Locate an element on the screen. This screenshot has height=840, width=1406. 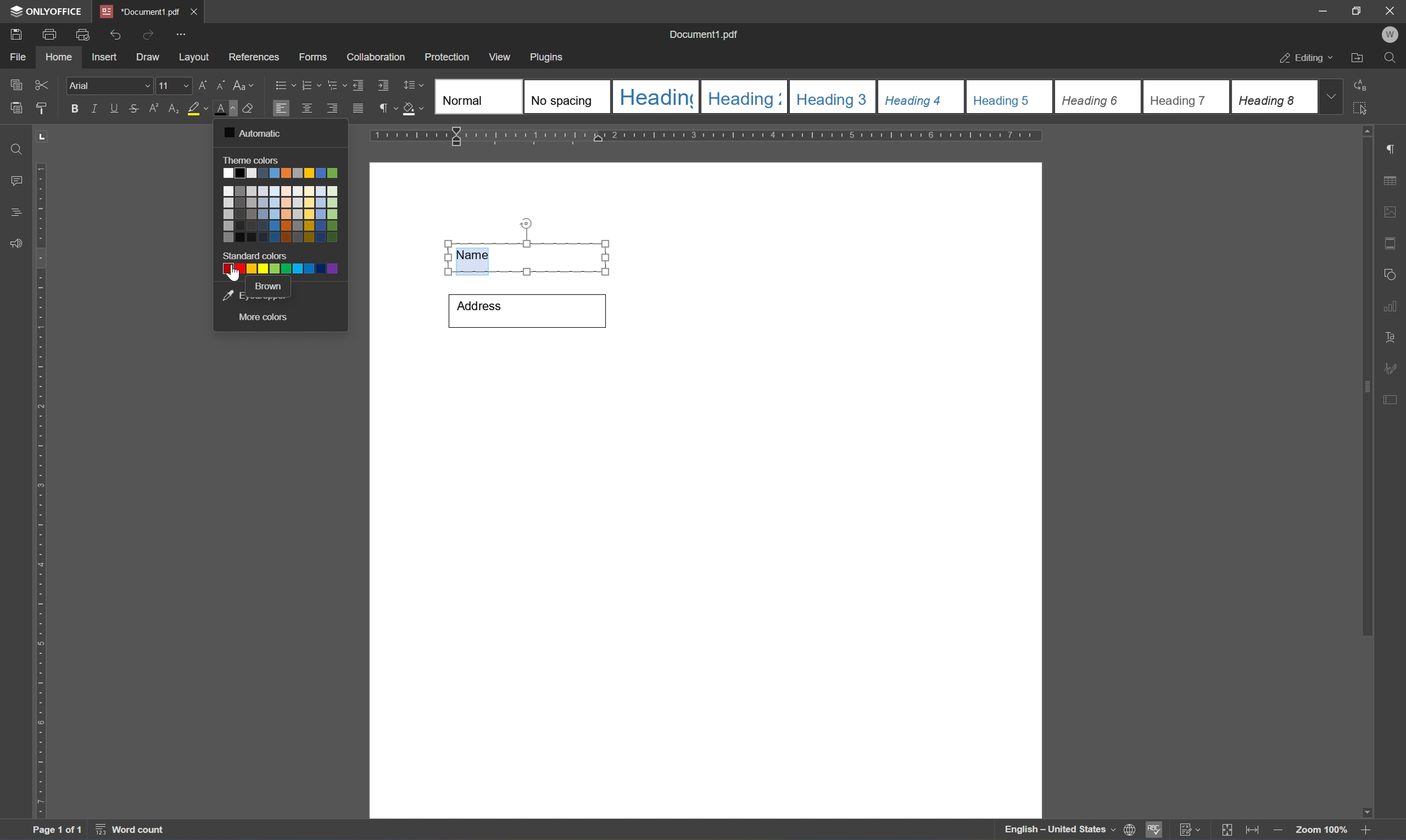
forms is located at coordinates (312, 57).